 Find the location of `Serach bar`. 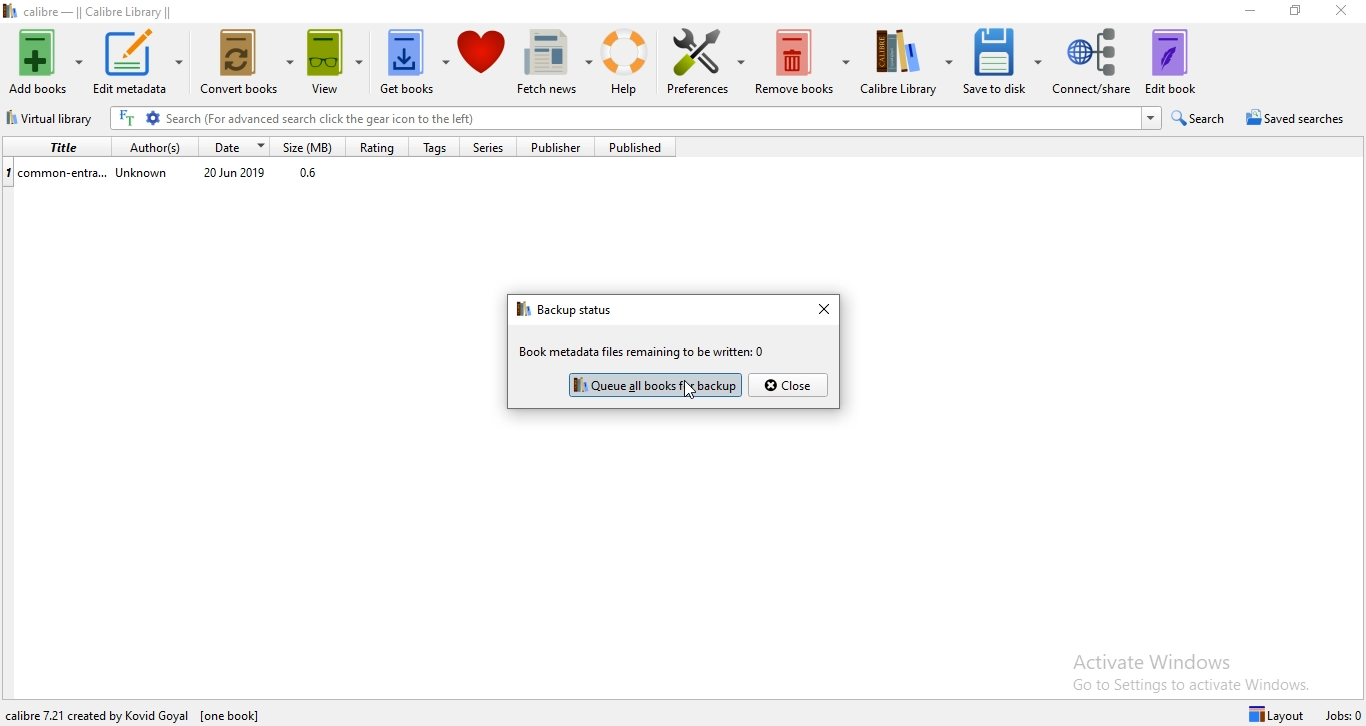

Serach bar is located at coordinates (653, 120).